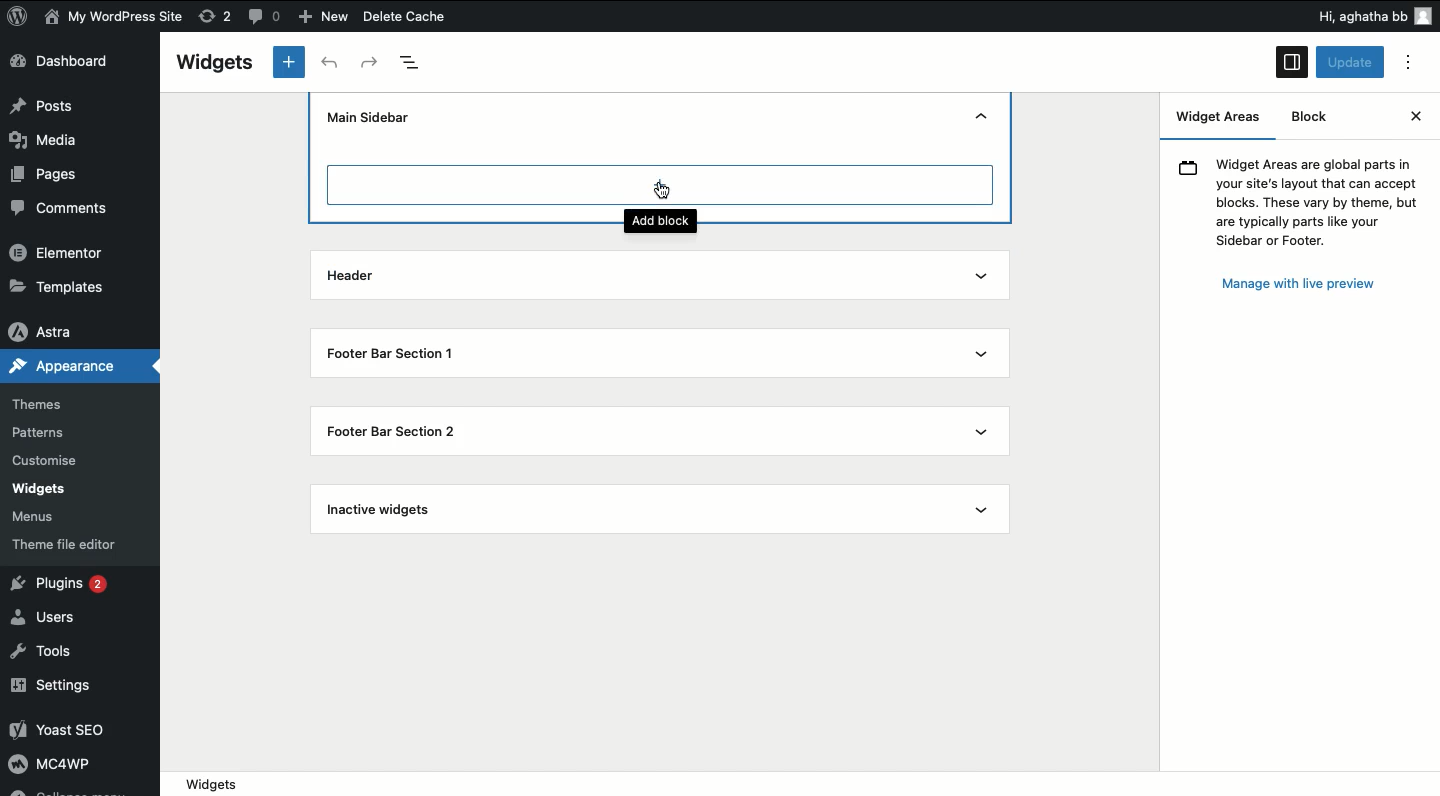  I want to click on Comments., so click(61, 208).